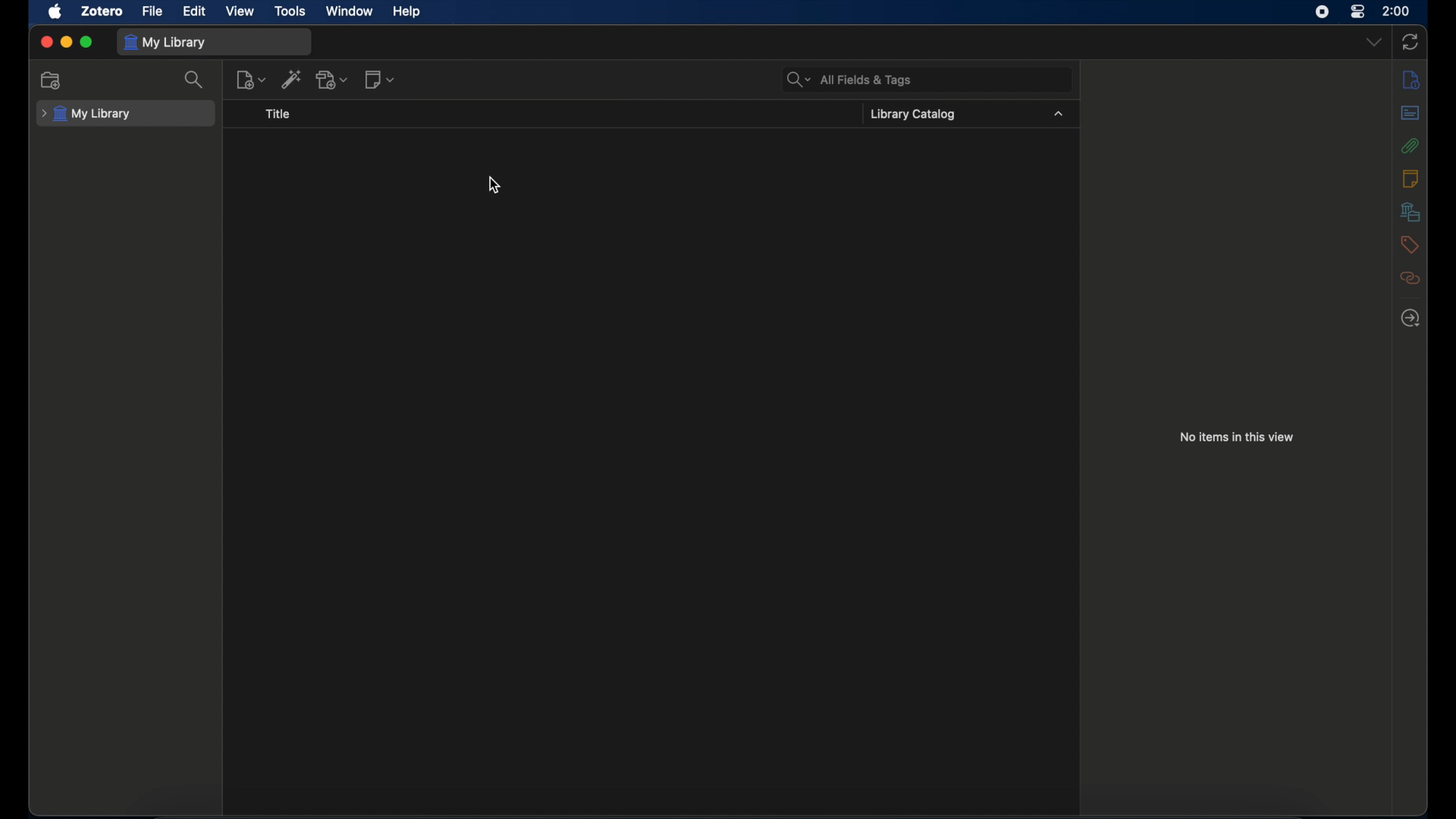  Describe the element at coordinates (251, 78) in the screenshot. I see `new item` at that location.